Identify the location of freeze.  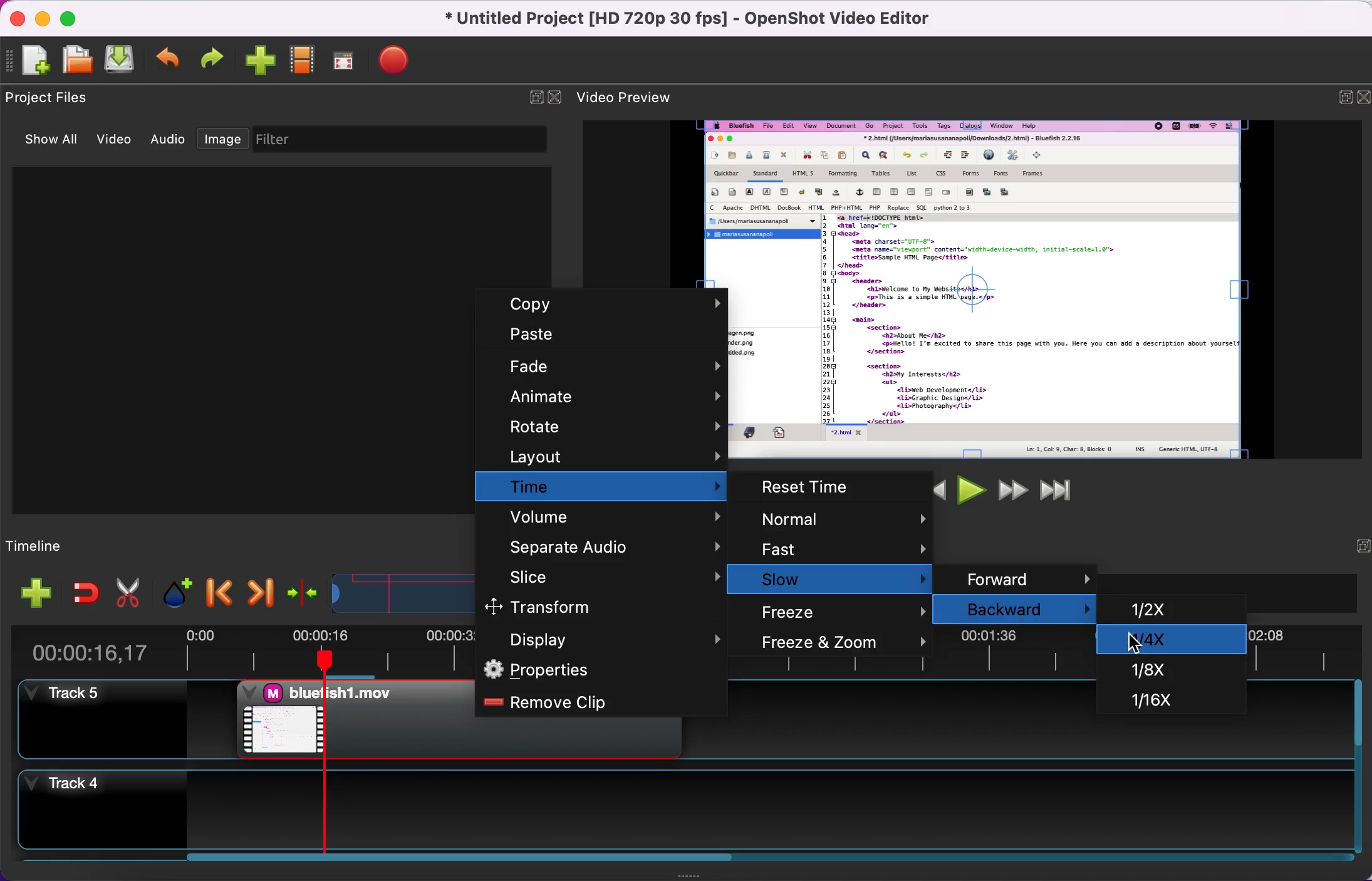
(846, 610).